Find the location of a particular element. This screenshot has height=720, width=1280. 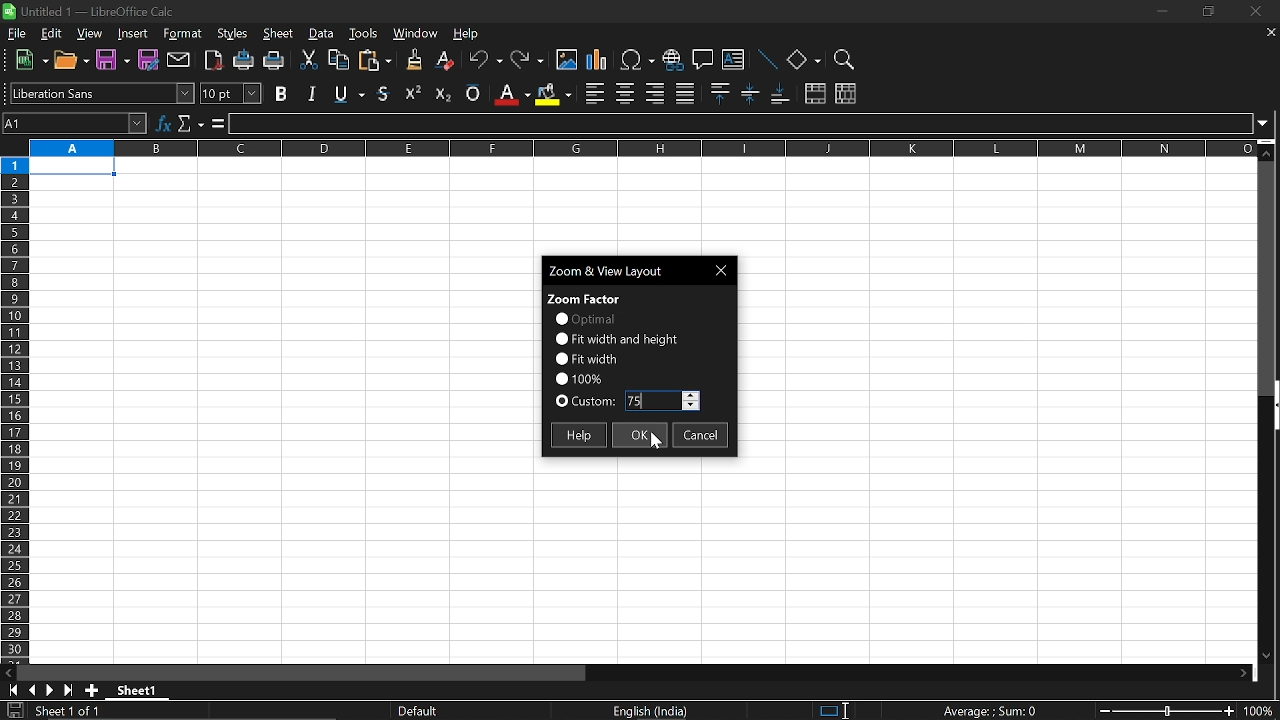

align top is located at coordinates (718, 93).